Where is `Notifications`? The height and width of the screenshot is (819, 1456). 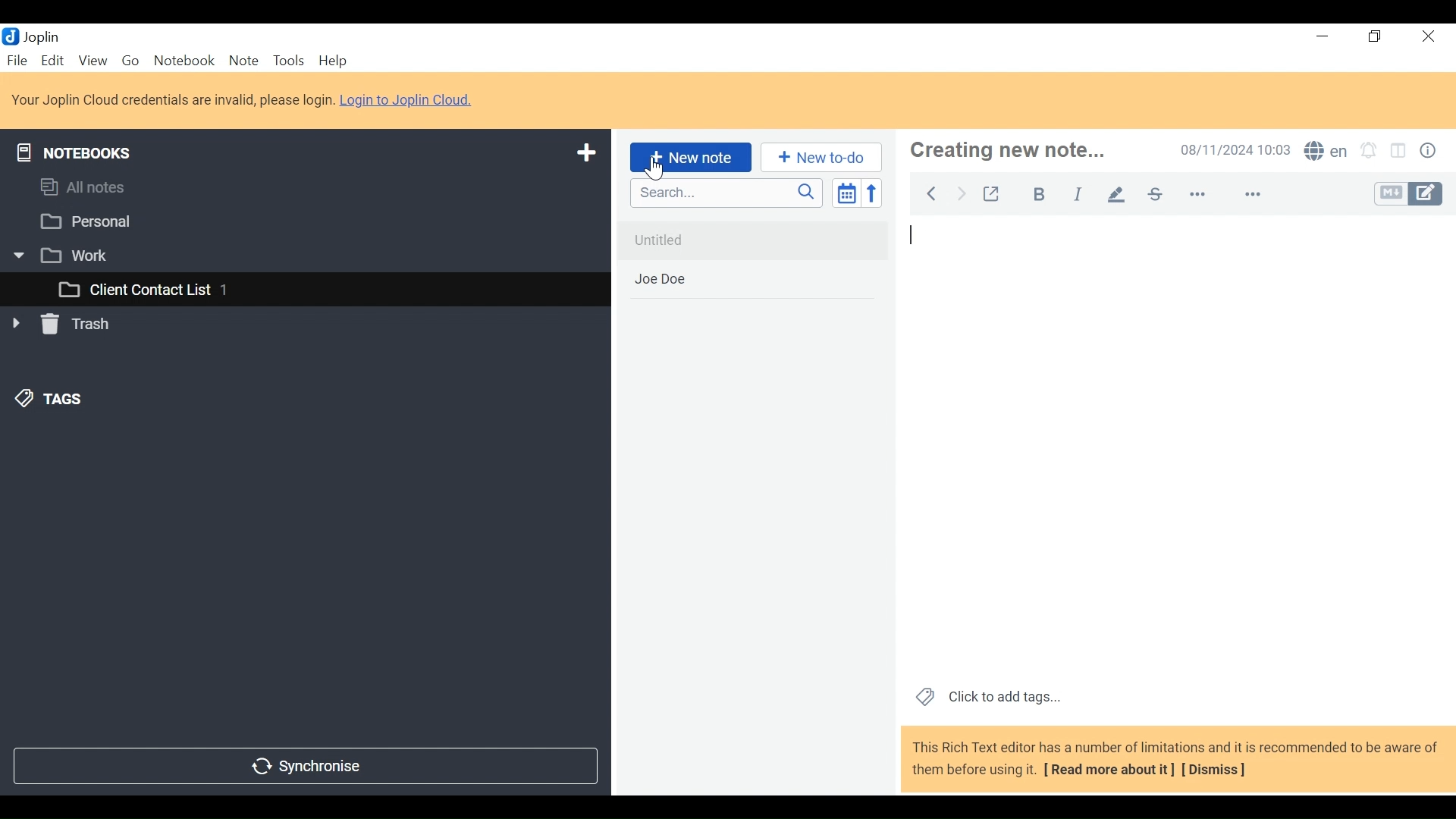 Notifications is located at coordinates (1372, 149).